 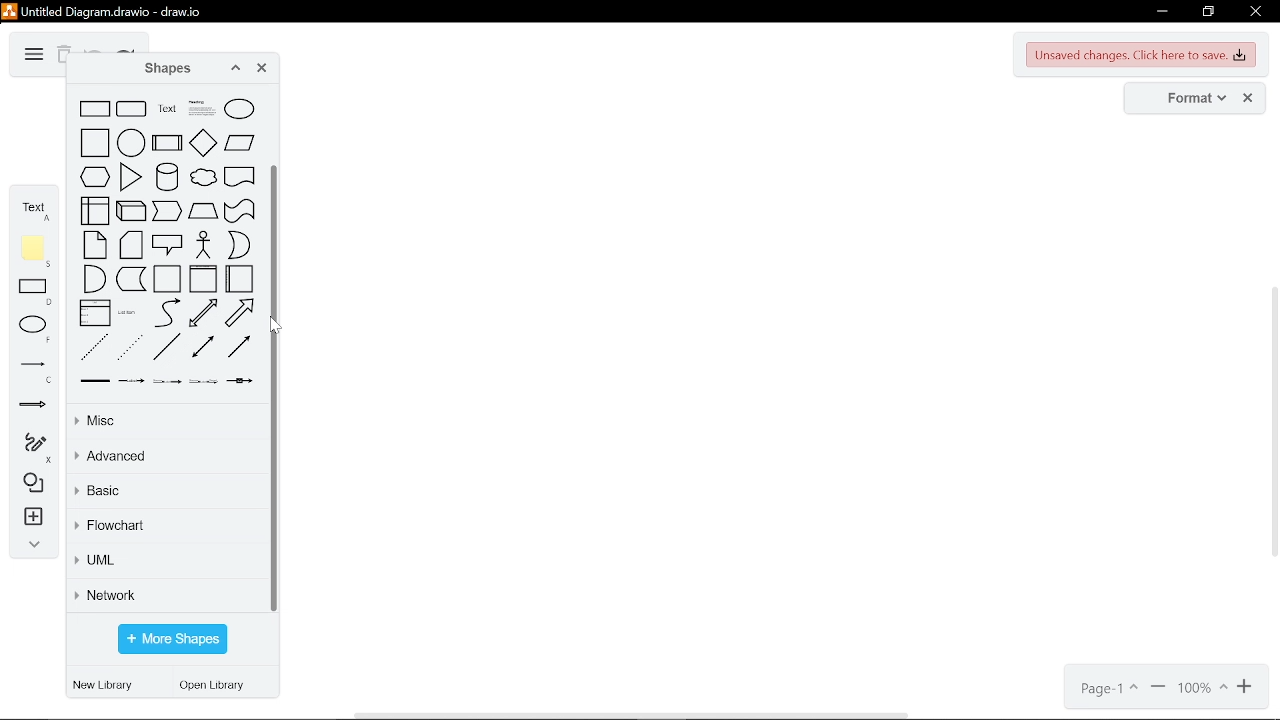 I want to click on horizontal container, so click(x=239, y=278).